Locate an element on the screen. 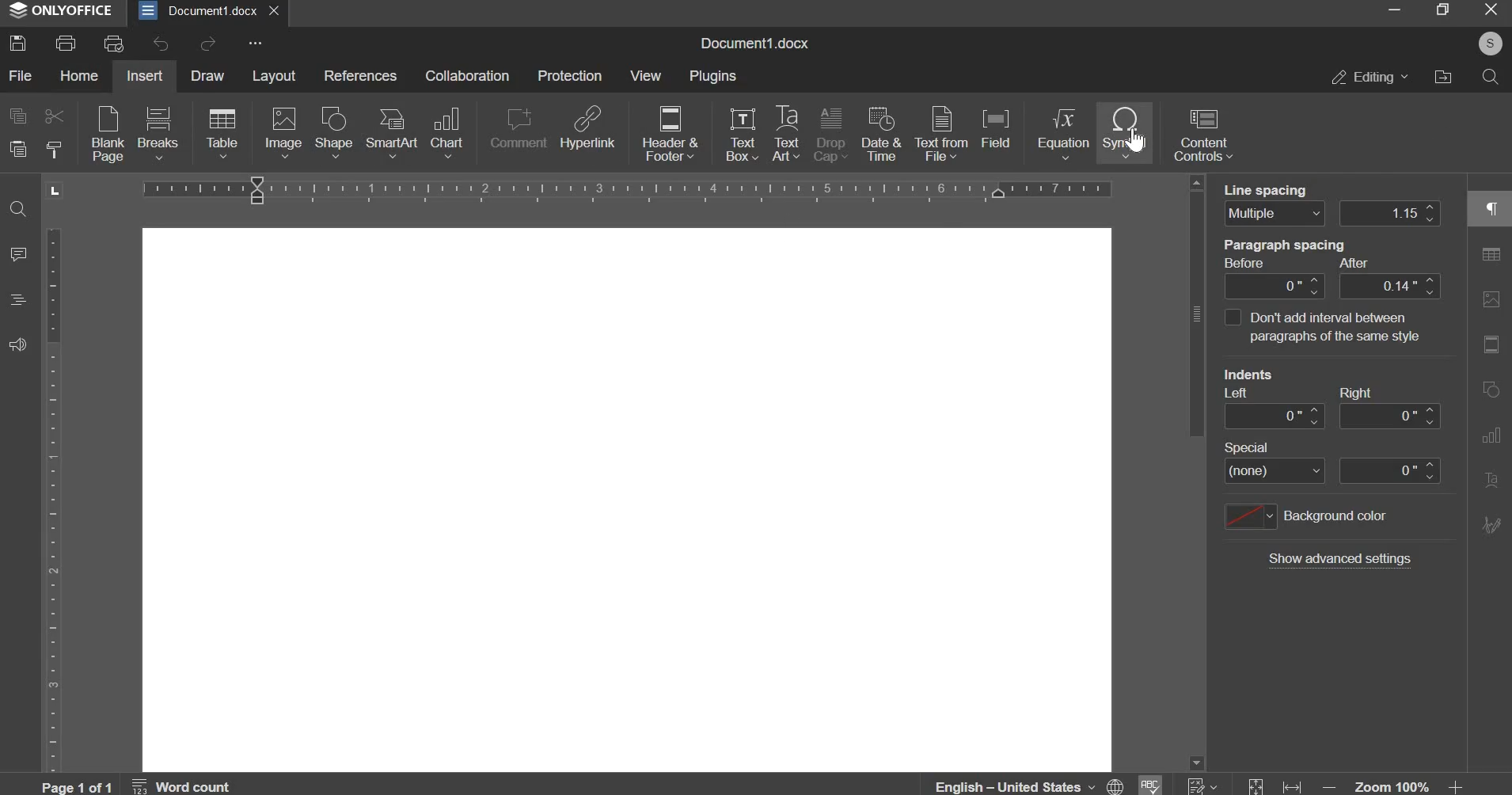 This screenshot has width=1512, height=795. maximize is located at coordinates (1442, 9).